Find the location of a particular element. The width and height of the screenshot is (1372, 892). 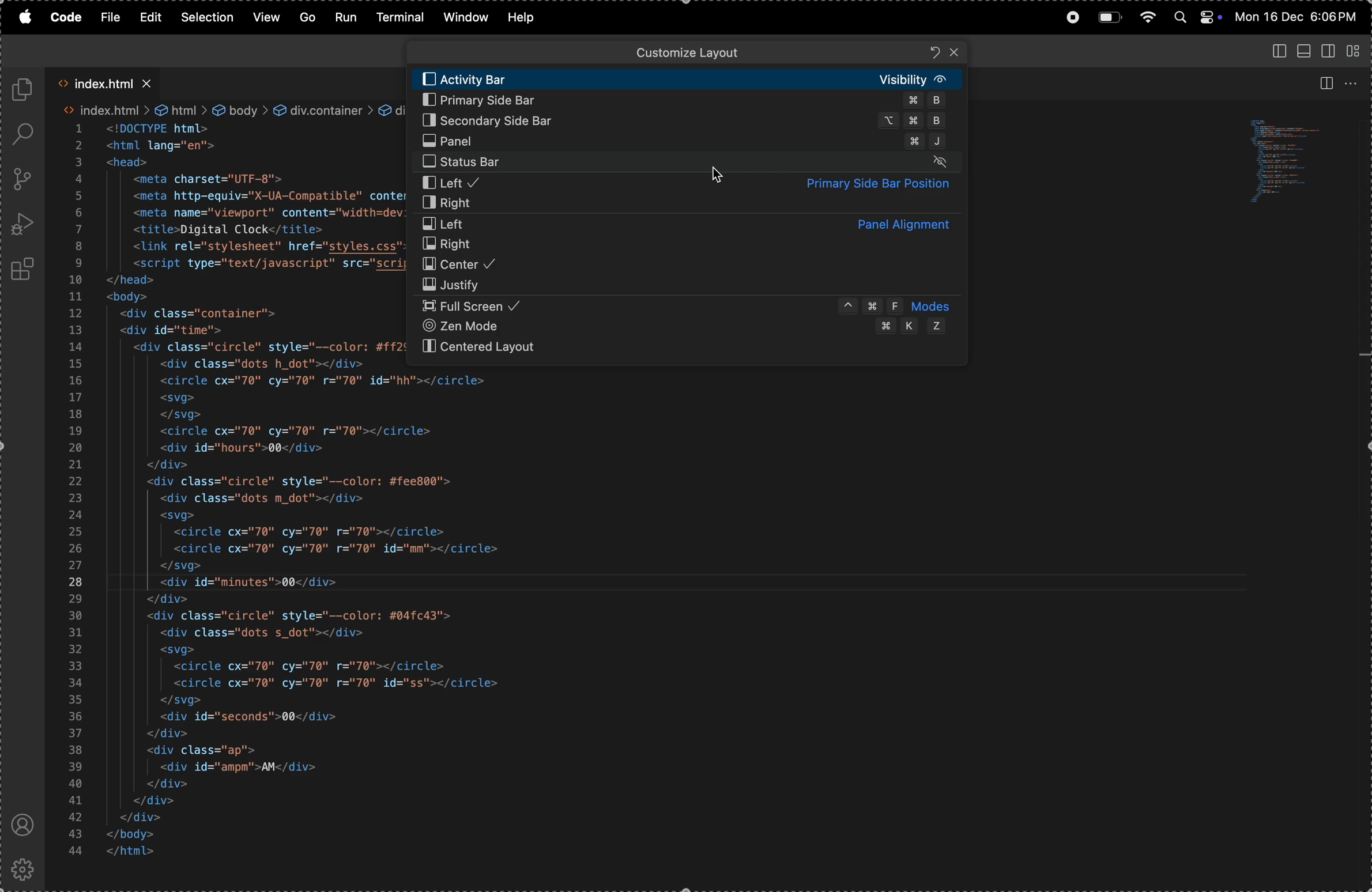

code is located at coordinates (66, 18).